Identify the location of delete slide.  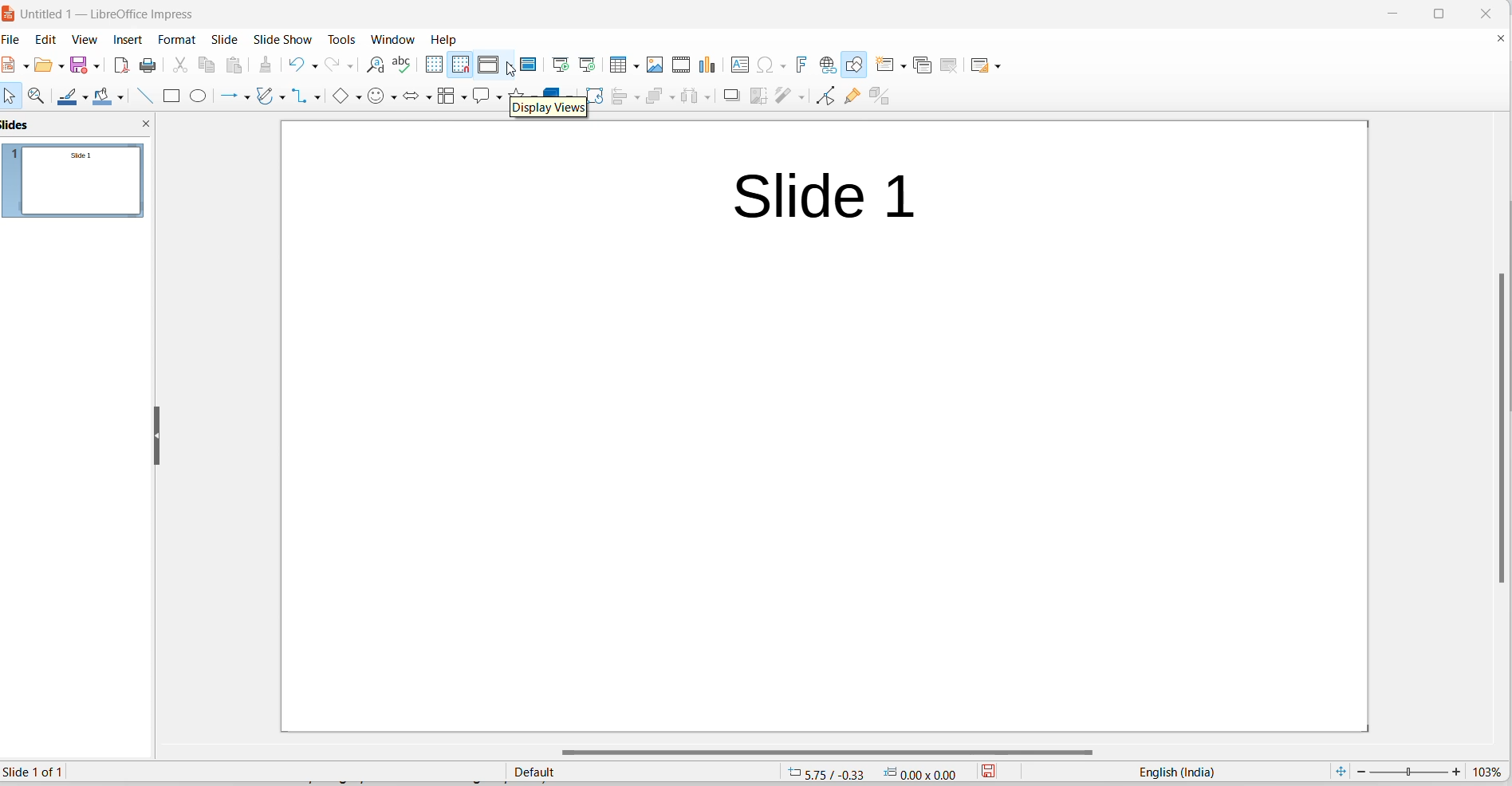
(953, 64).